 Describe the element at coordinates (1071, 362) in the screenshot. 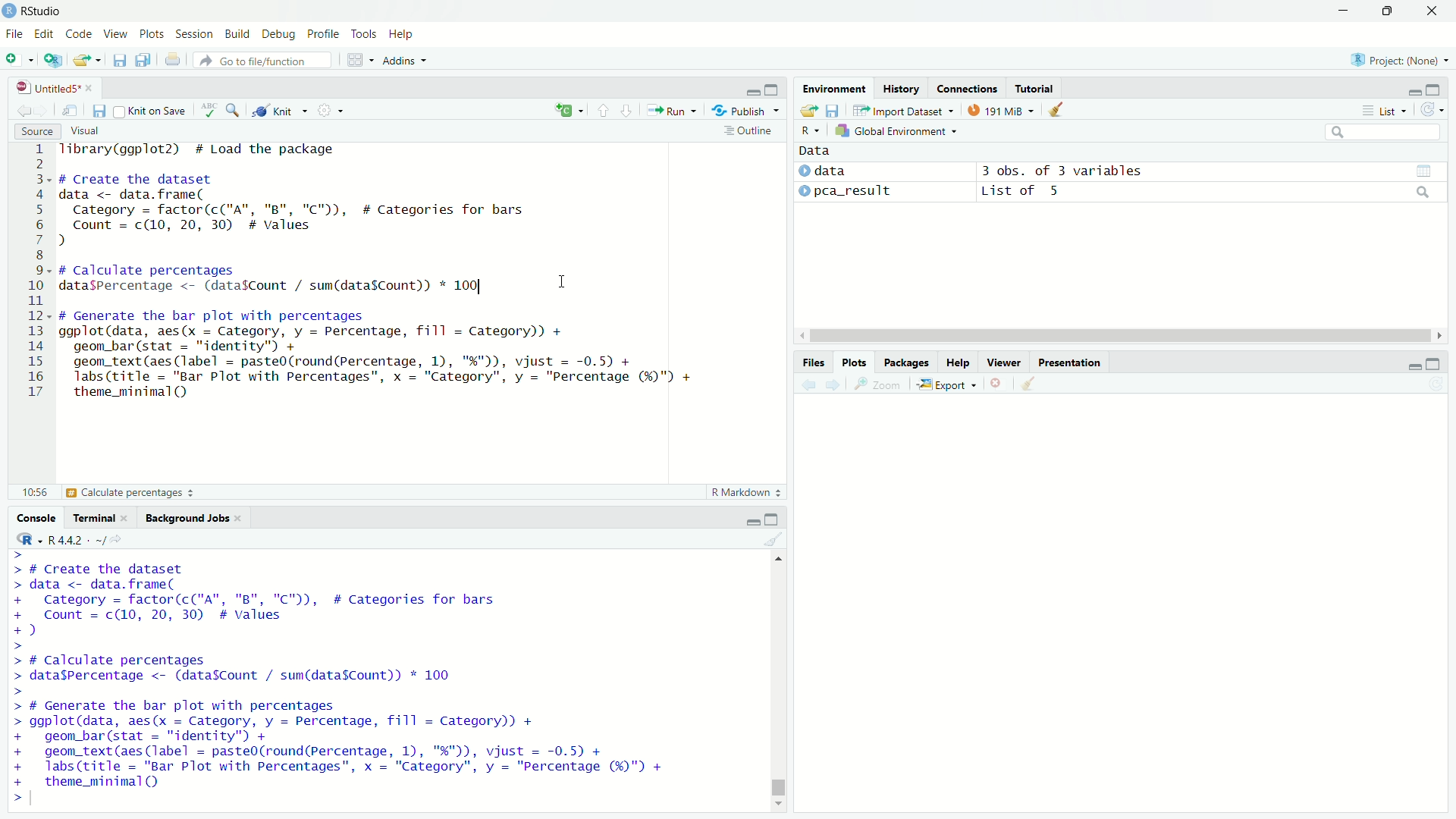

I see `presentation` at that location.